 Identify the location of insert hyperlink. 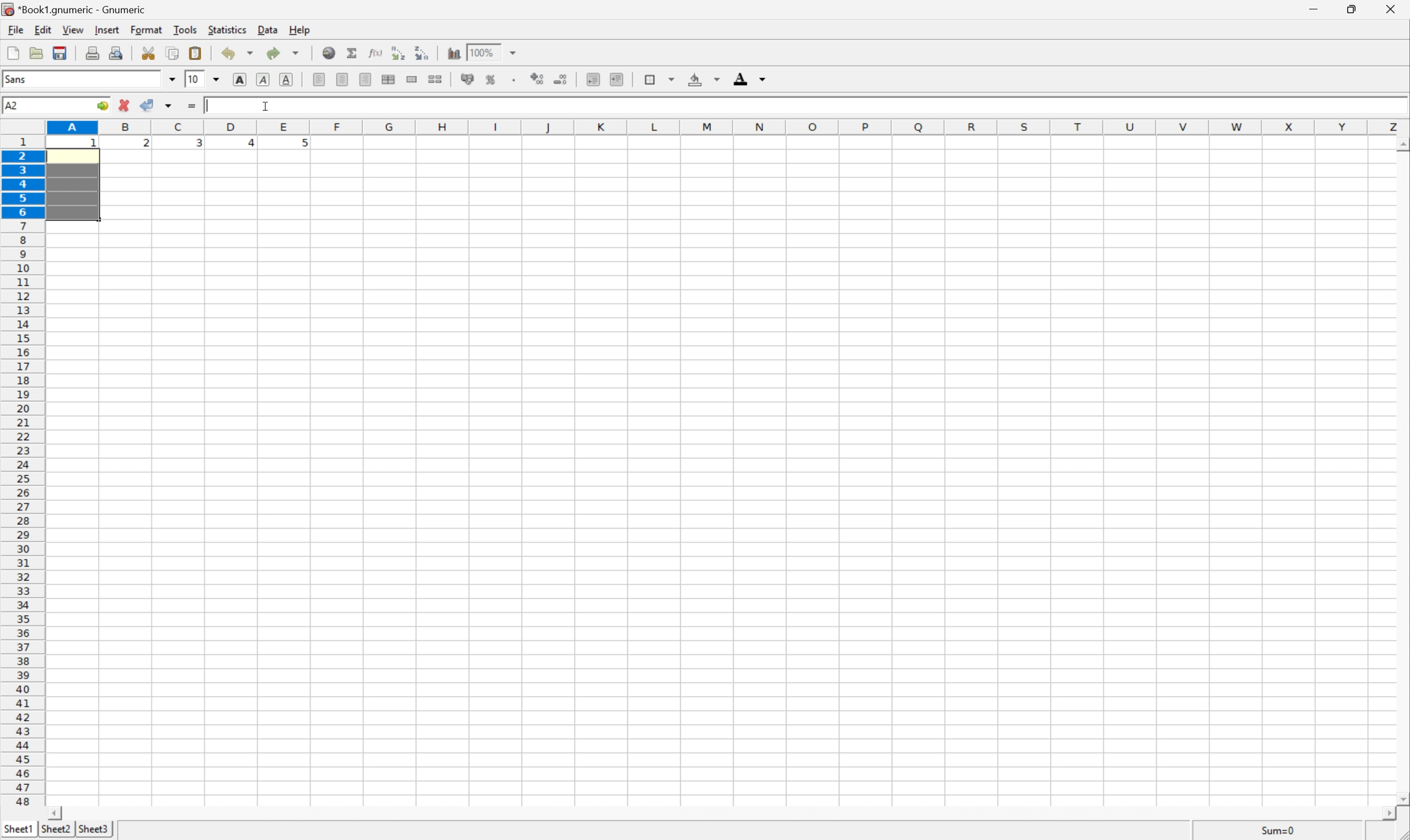
(329, 52).